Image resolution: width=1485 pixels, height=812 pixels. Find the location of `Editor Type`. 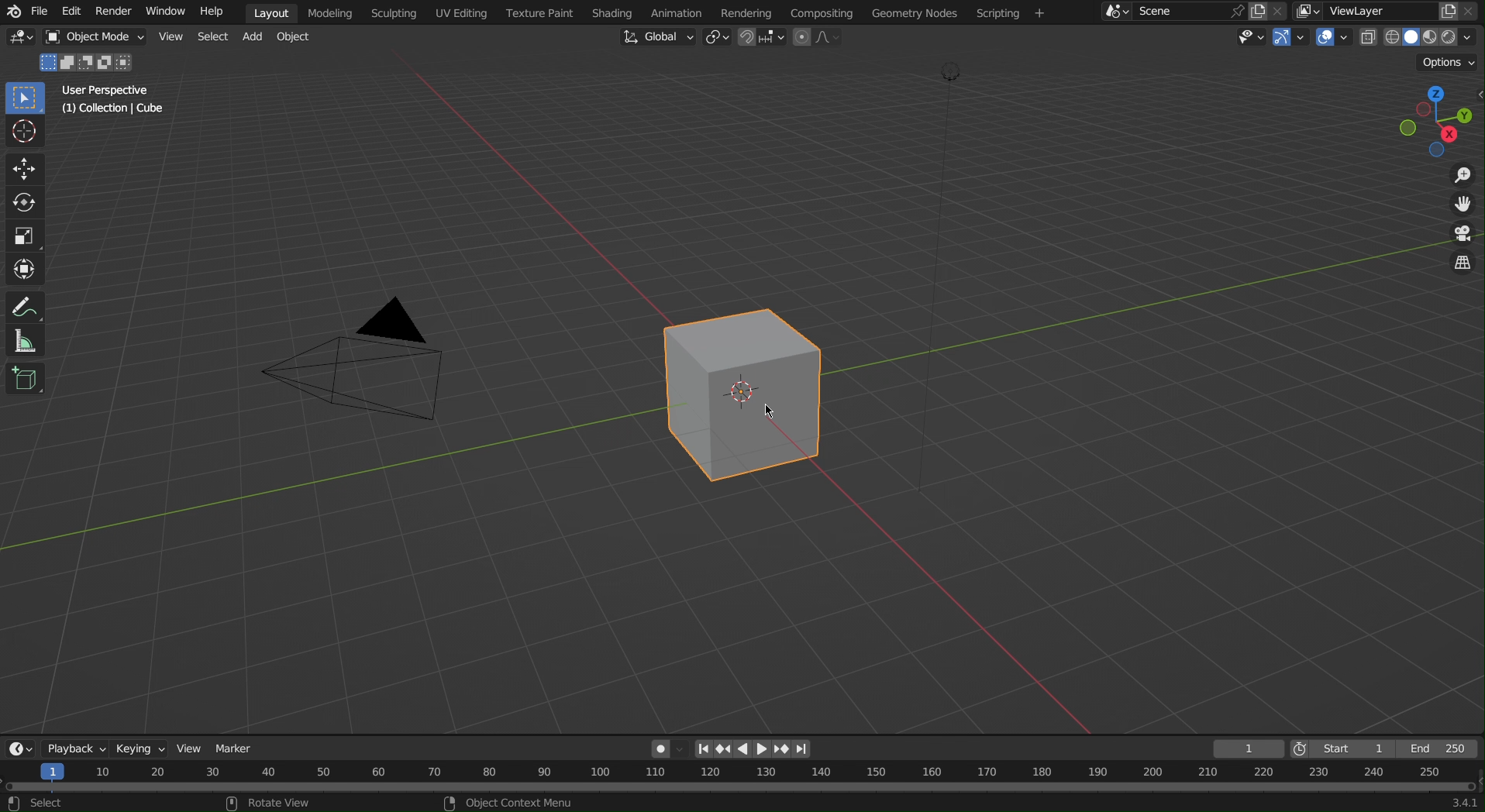

Editor Type is located at coordinates (19, 36).